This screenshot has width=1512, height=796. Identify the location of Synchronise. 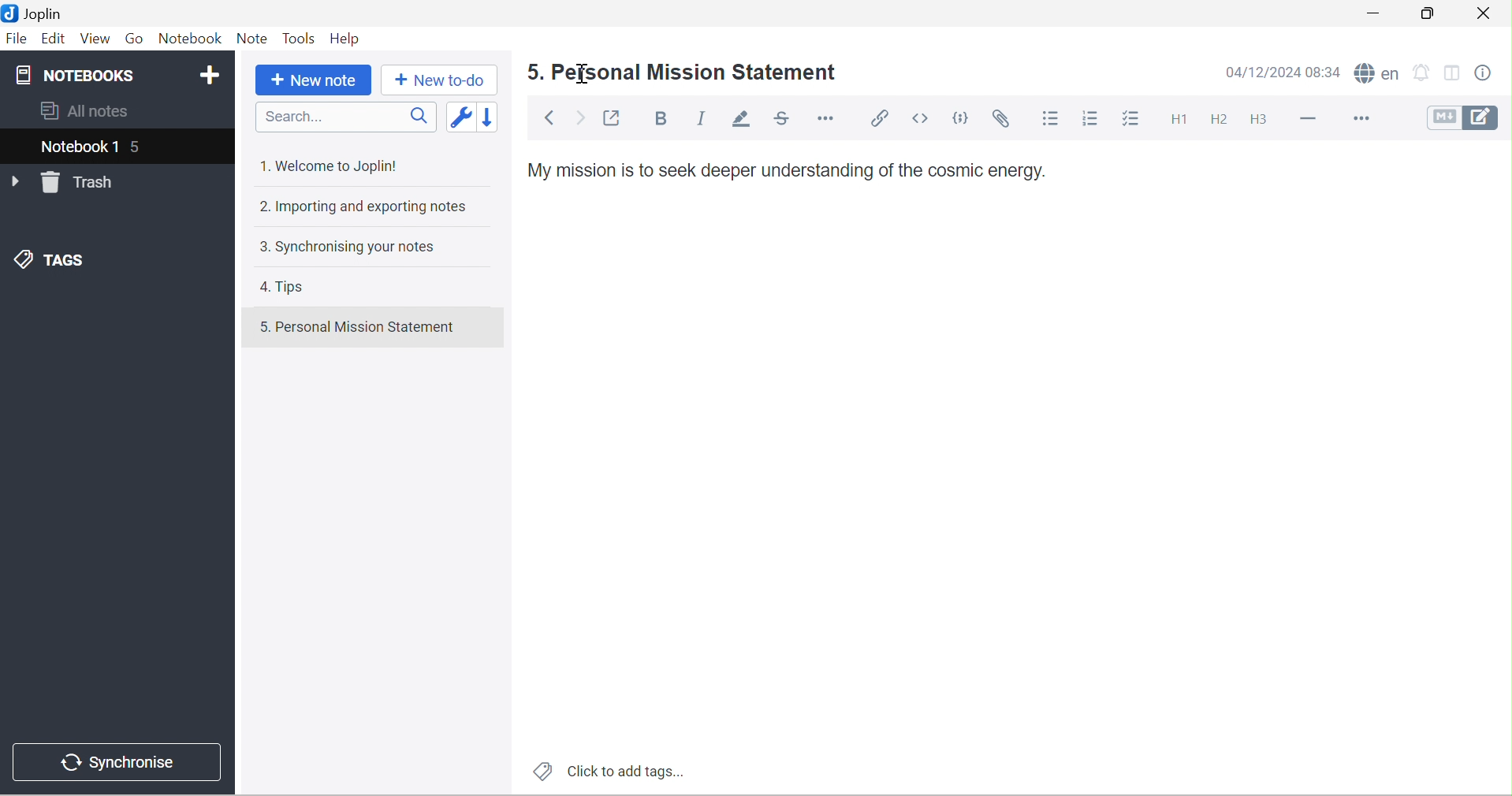
(117, 762).